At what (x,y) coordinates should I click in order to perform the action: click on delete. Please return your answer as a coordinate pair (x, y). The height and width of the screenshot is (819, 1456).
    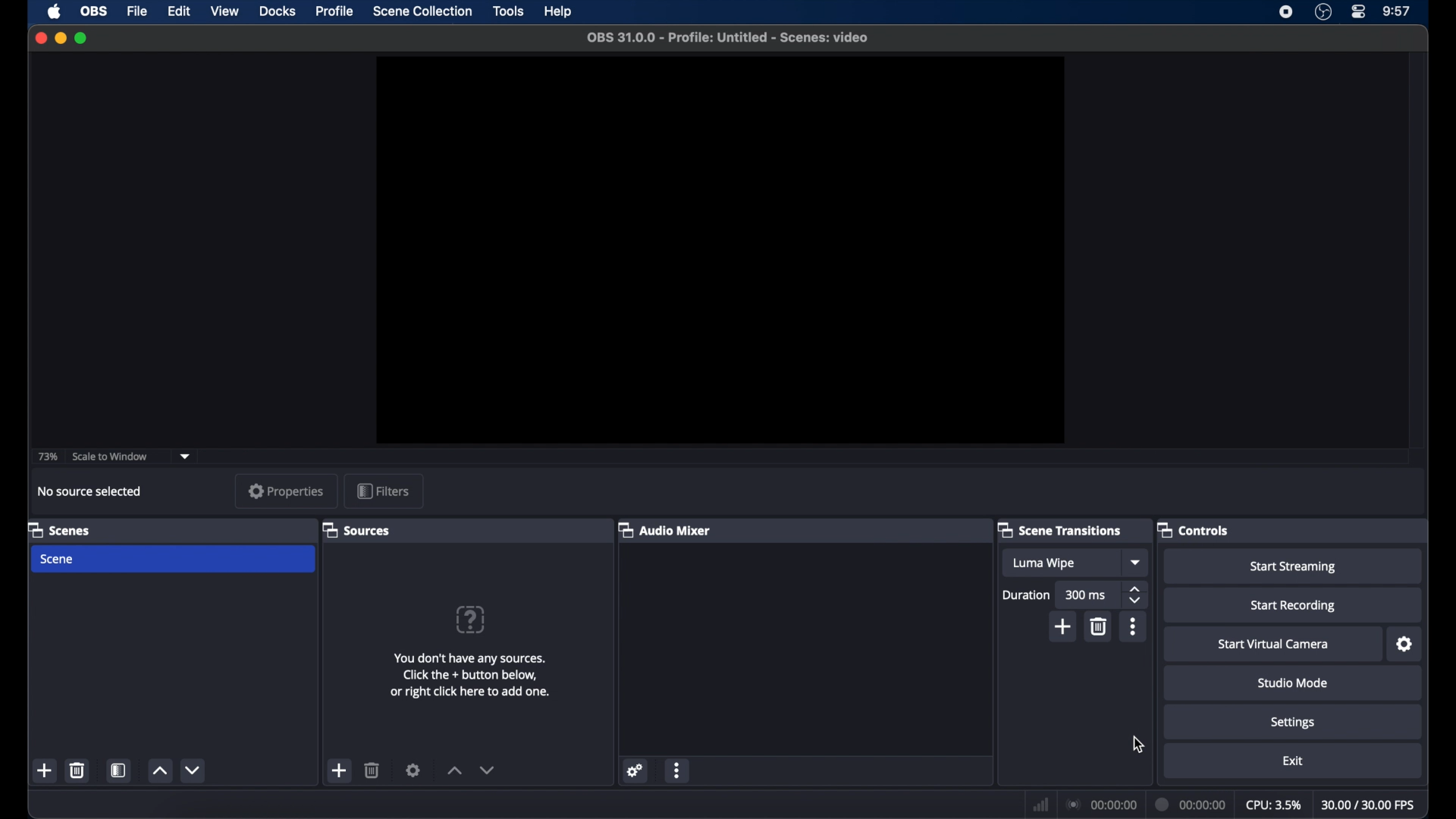
    Looking at the image, I should click on (80, 770).